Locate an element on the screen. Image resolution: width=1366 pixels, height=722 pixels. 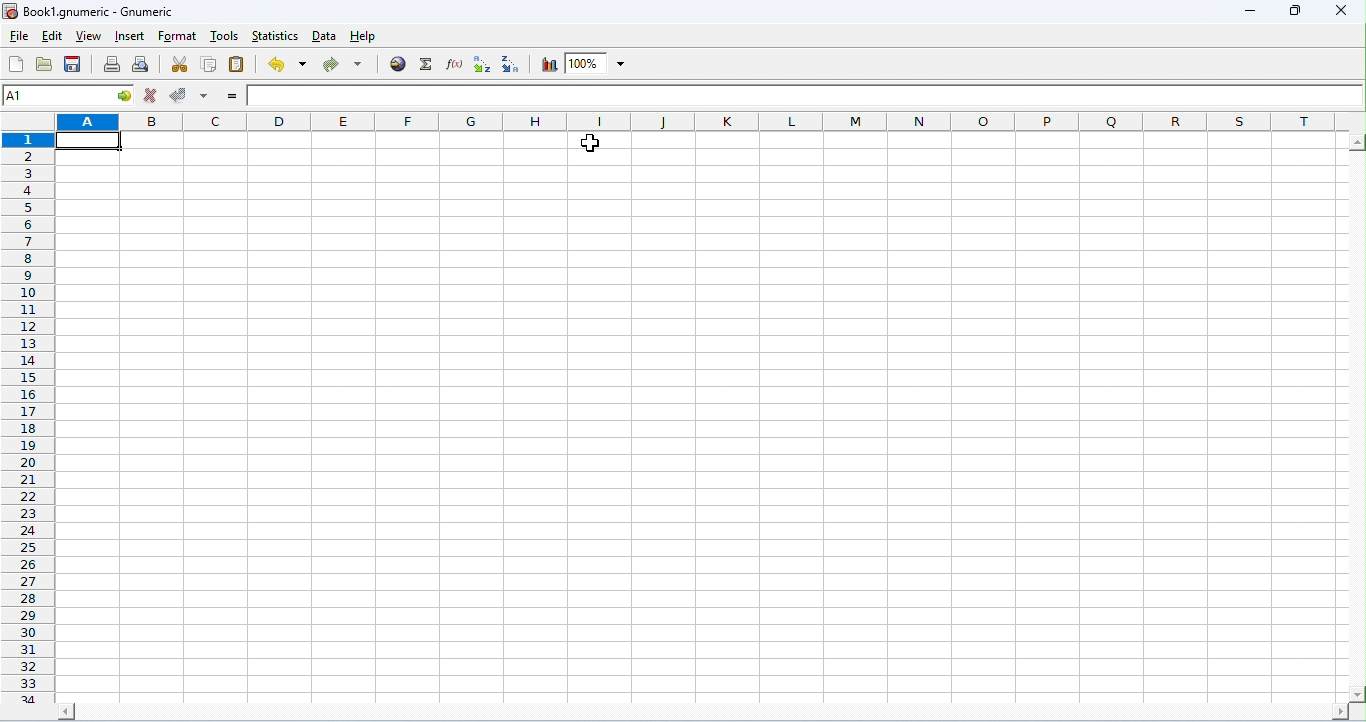
select function is located at coordinates (427, 65).